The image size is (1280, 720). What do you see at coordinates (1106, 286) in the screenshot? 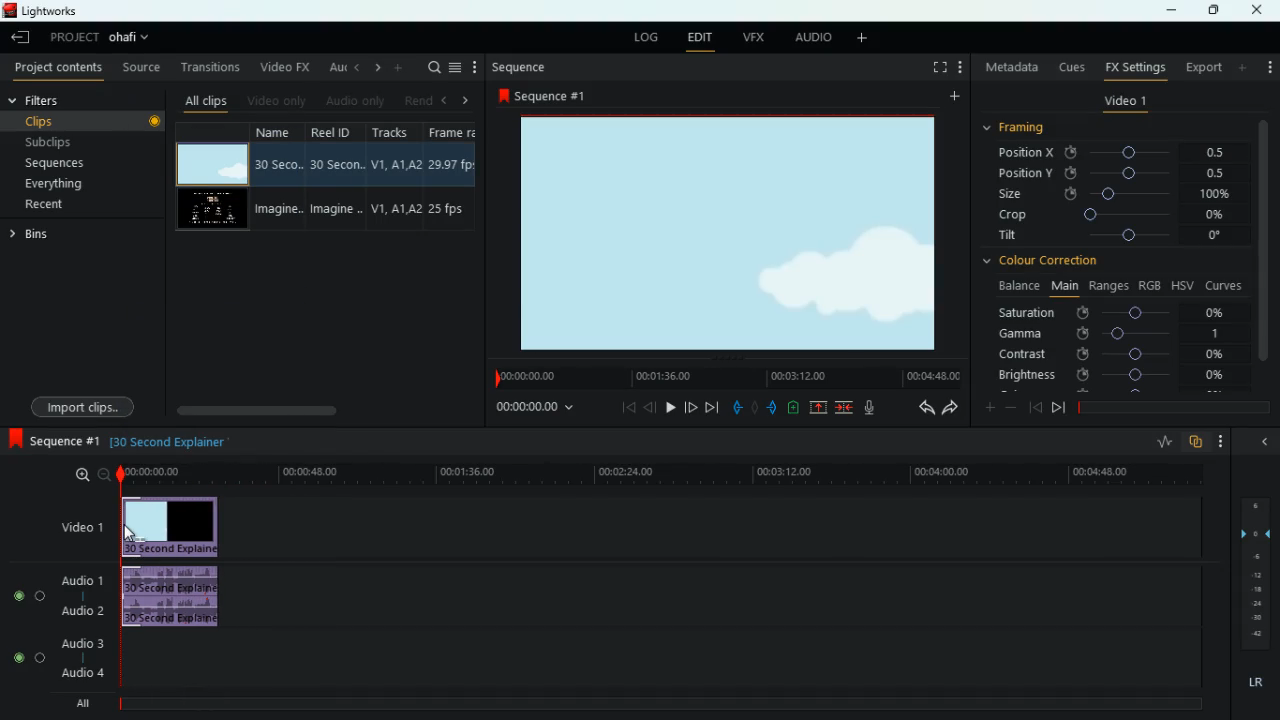
I see `ranges` at bounding box center [1106, 286].